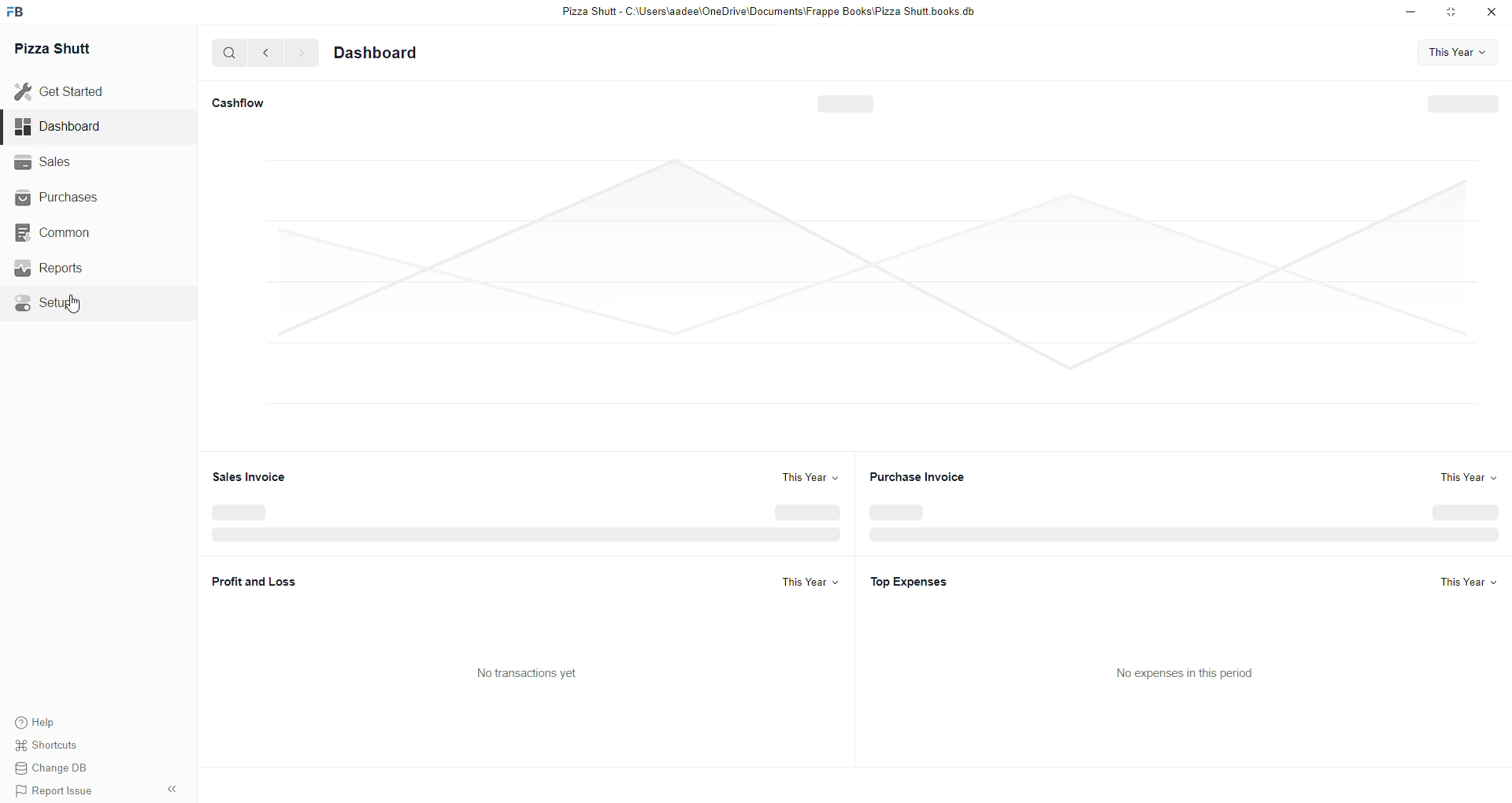 This screenshot has height=803, width=1512. Describe the element at coordinates (230, 54) in the screenshot. I see `search` at that location.